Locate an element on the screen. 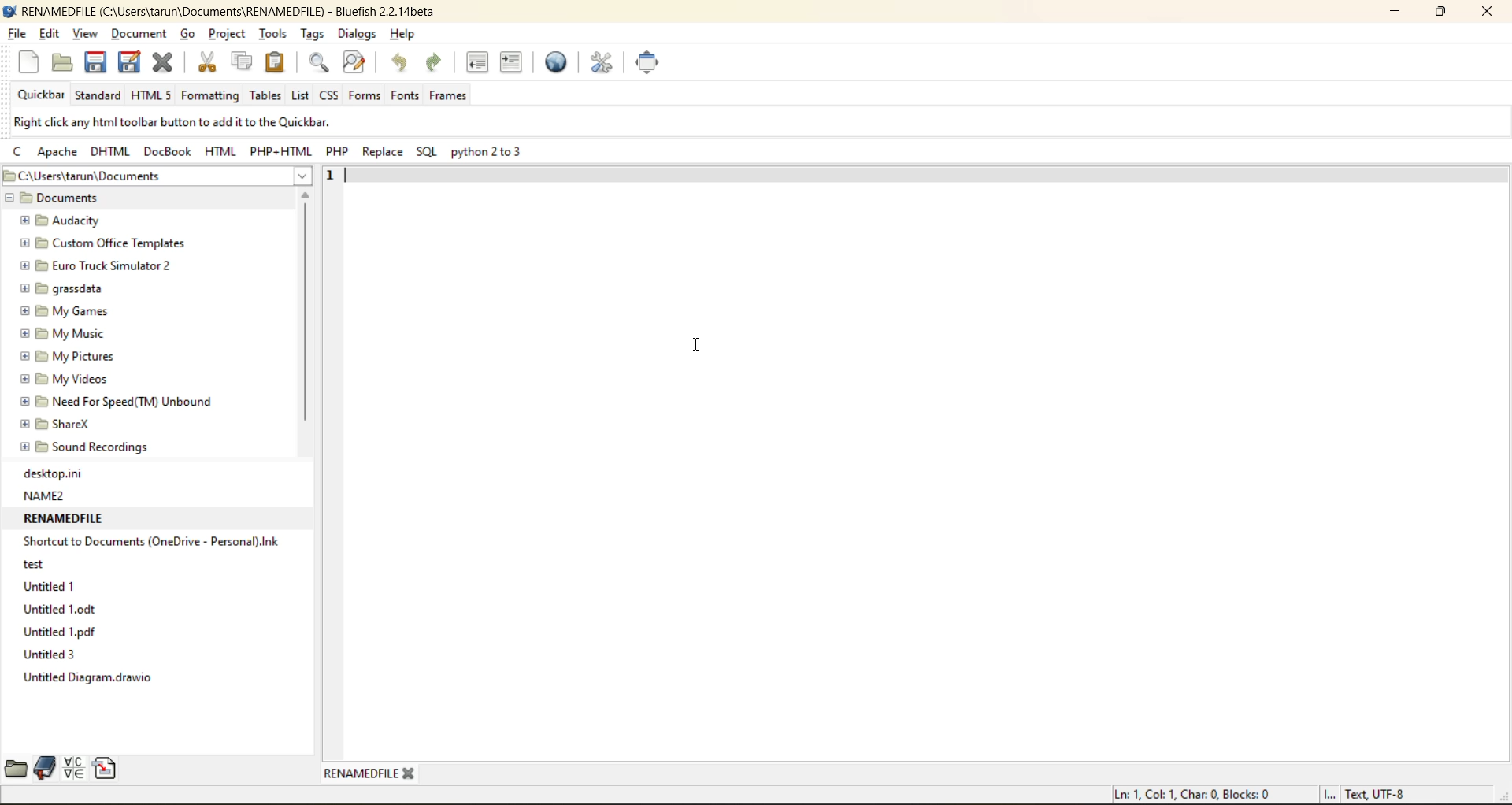 The width and height of the screenshot is (1512, 805). redo is located at coordinates (442, 67).